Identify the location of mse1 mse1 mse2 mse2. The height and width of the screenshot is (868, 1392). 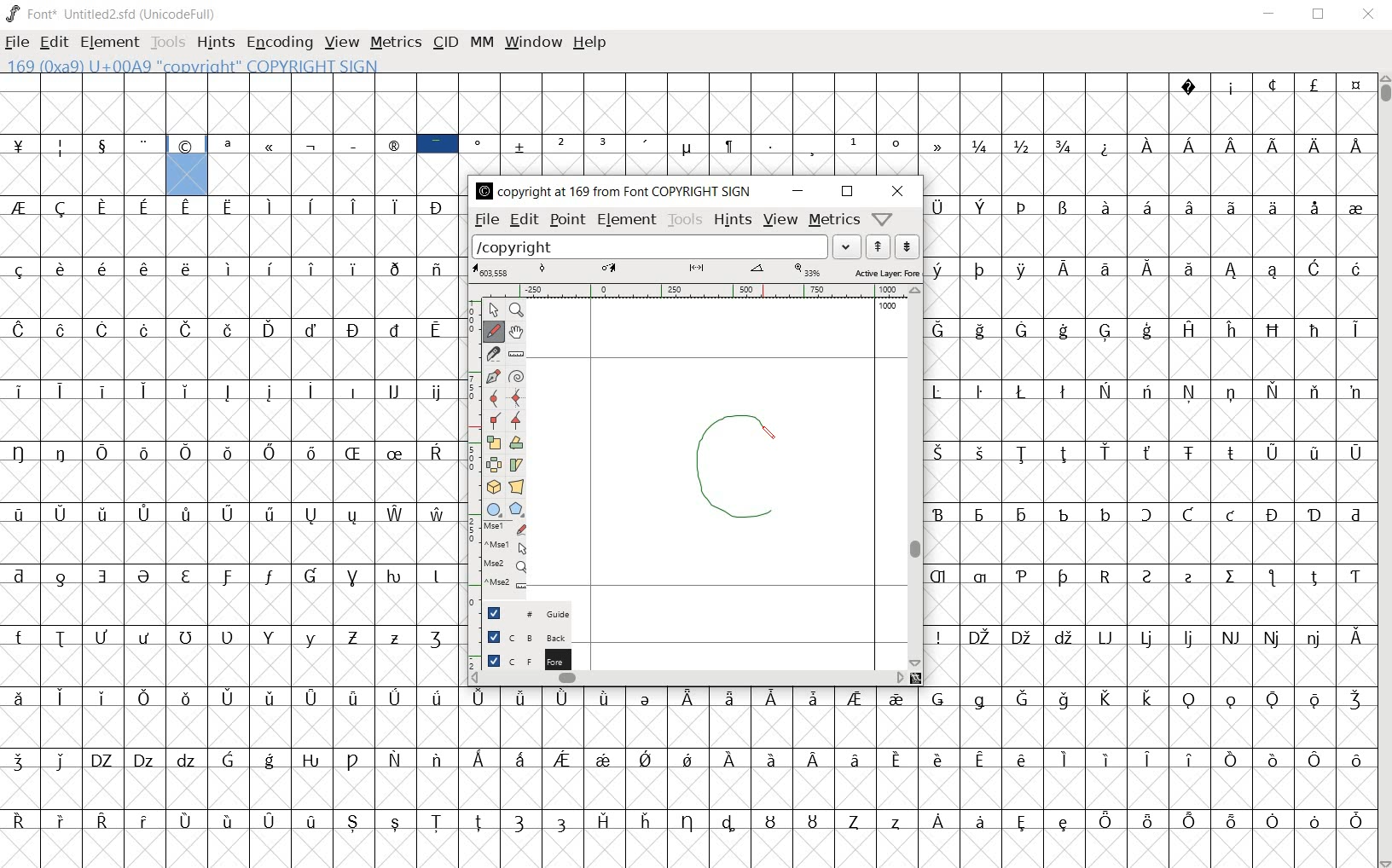
(502, 558).